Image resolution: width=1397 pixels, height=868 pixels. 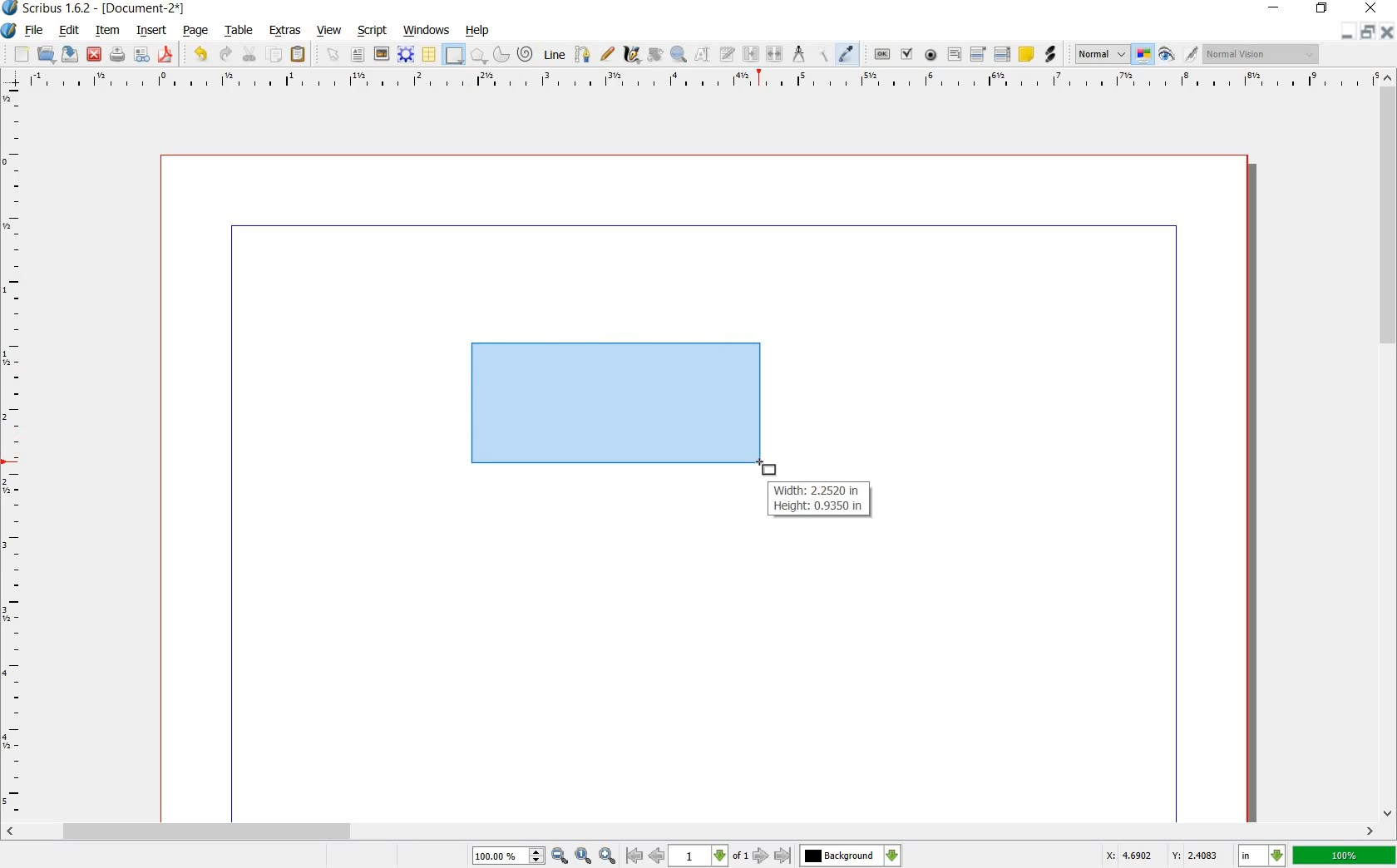 I want to click on CUT, so click(x=250, y=54).